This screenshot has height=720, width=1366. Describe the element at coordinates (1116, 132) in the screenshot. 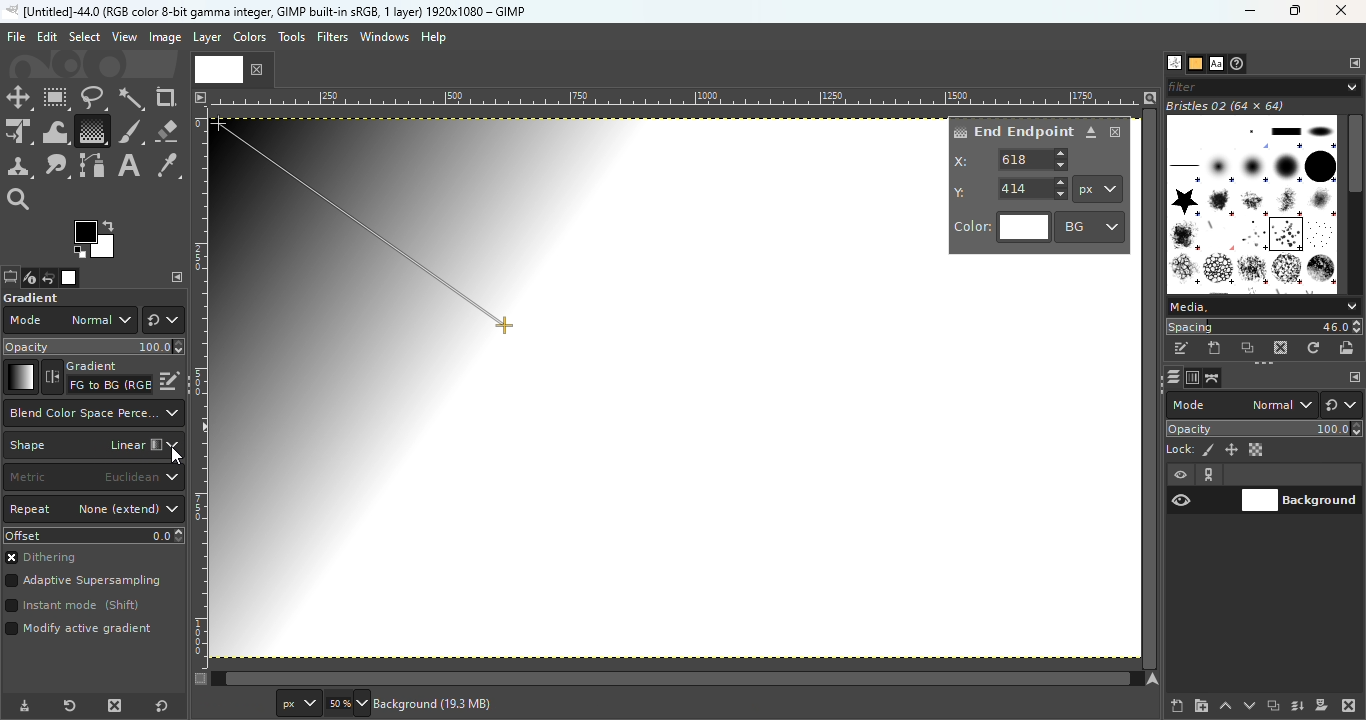

I see `Close` at that location.